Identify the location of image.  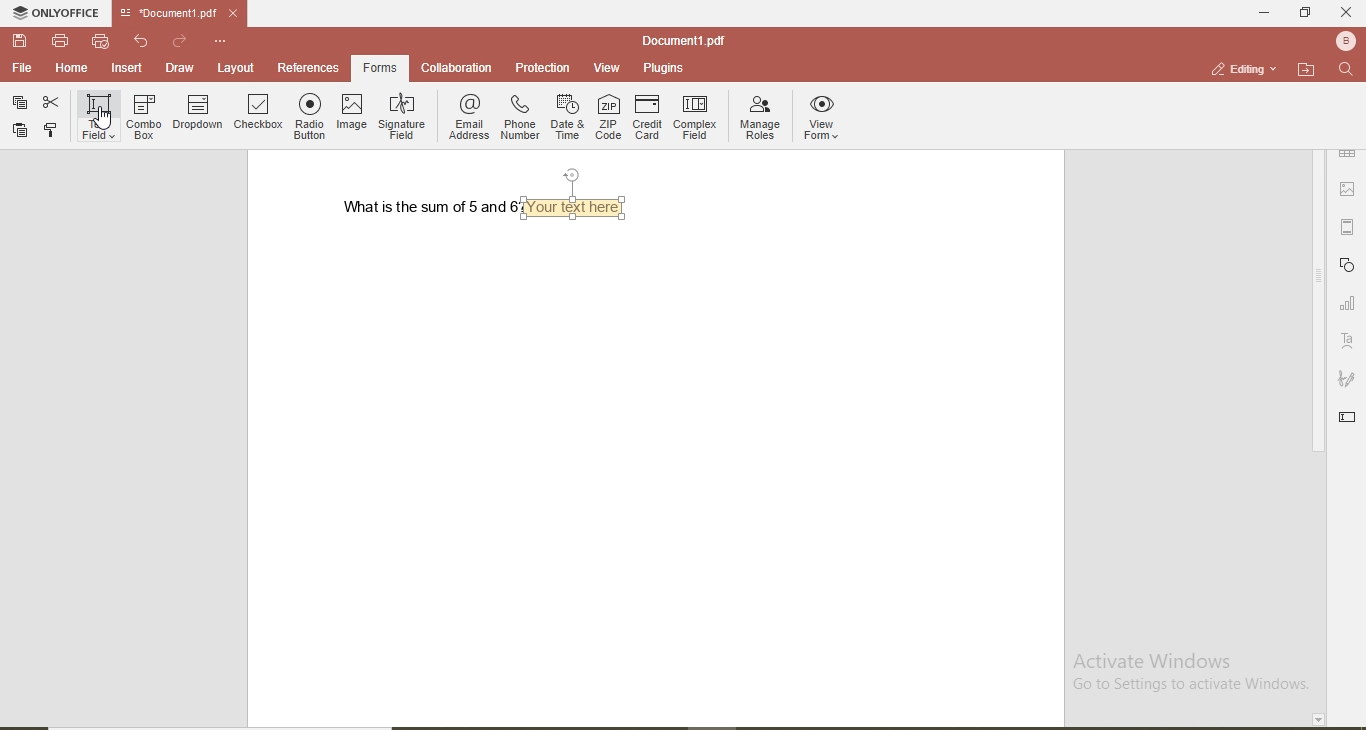
(1350, 191).